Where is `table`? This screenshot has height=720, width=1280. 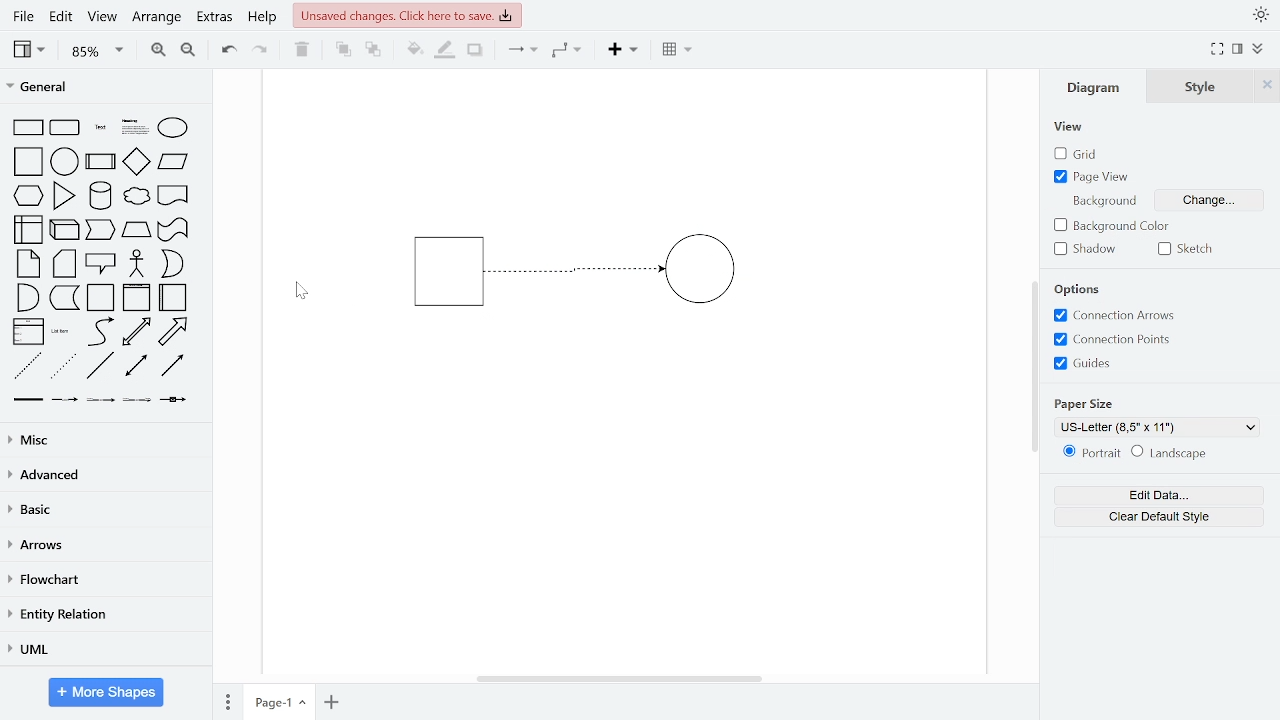
table is located at coordinates (679, 51).